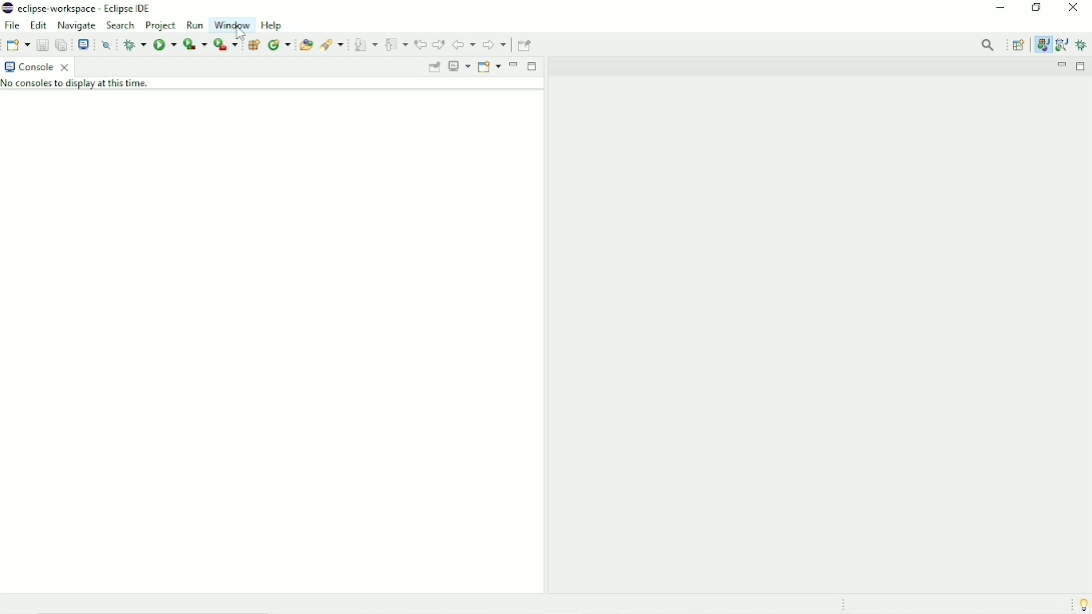 This screenshot has width=1092, height=614. What do you see at coordinates (12, 25) in the screenshot?
I see `File` at bounding box center [12, 25].